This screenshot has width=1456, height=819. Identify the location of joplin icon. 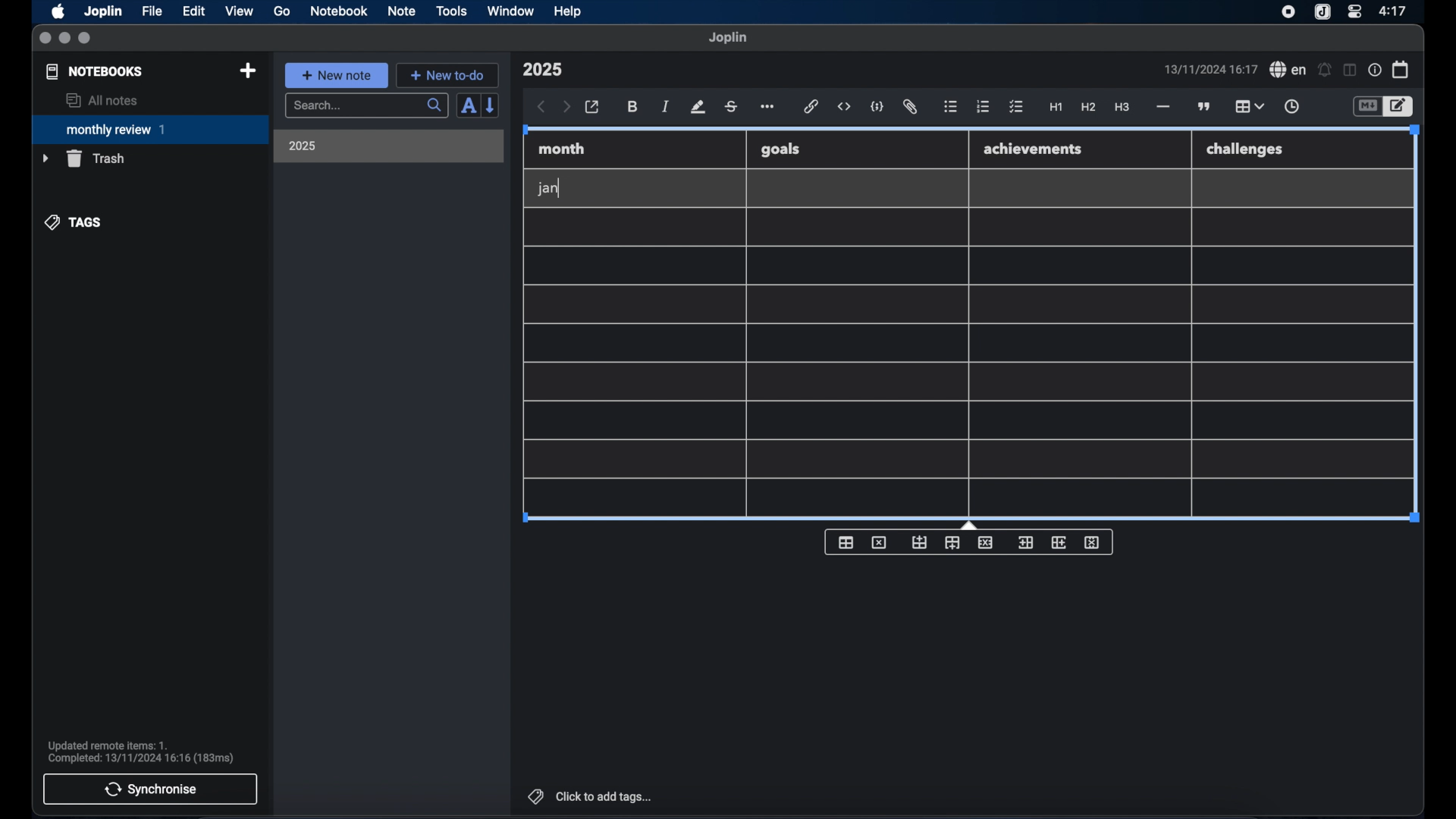
(1321, 13).